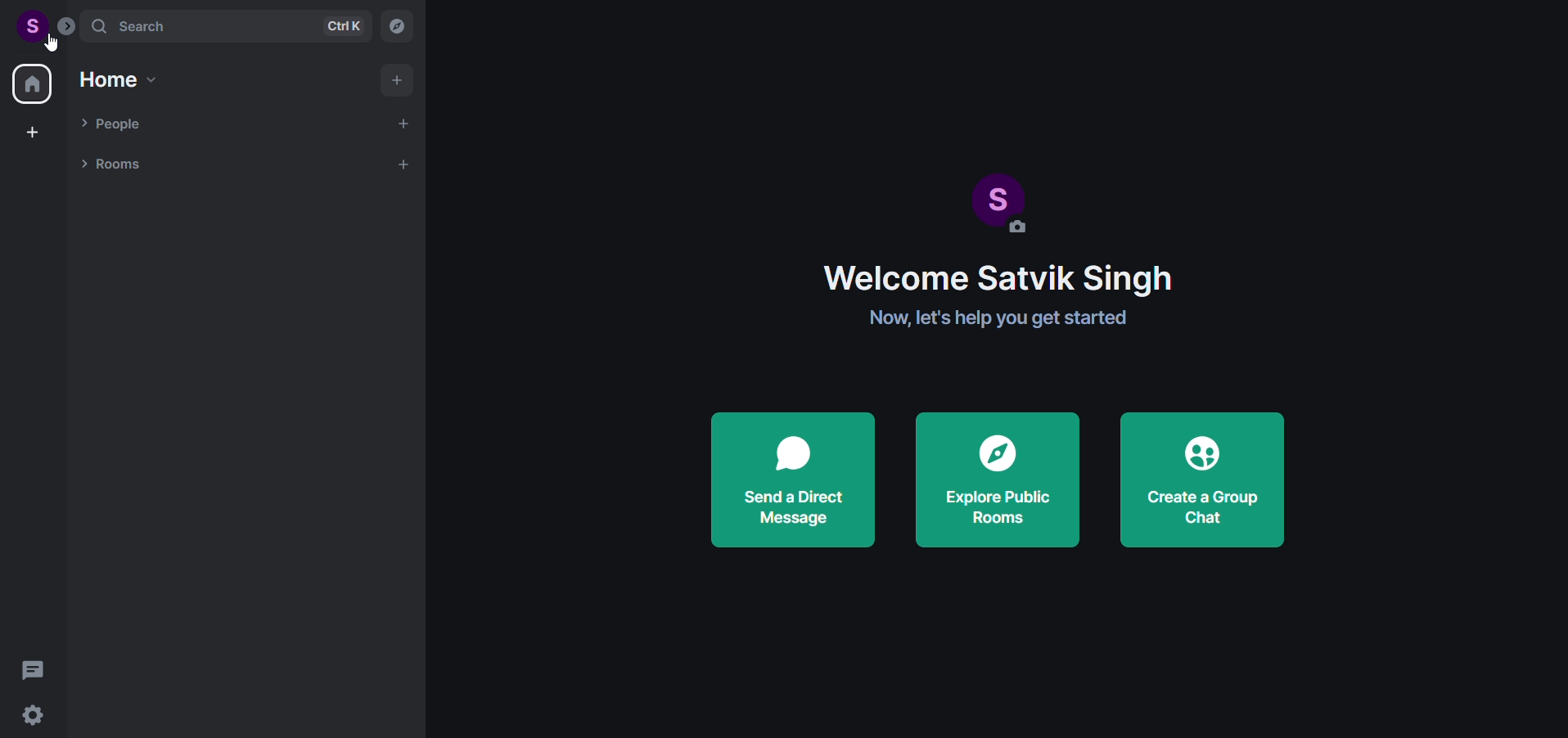 This screenshot has width=1568, height=738. What do you see at coordinates (66, 25) in the screenshot?
I see `more` at bounding box center [66, 25].